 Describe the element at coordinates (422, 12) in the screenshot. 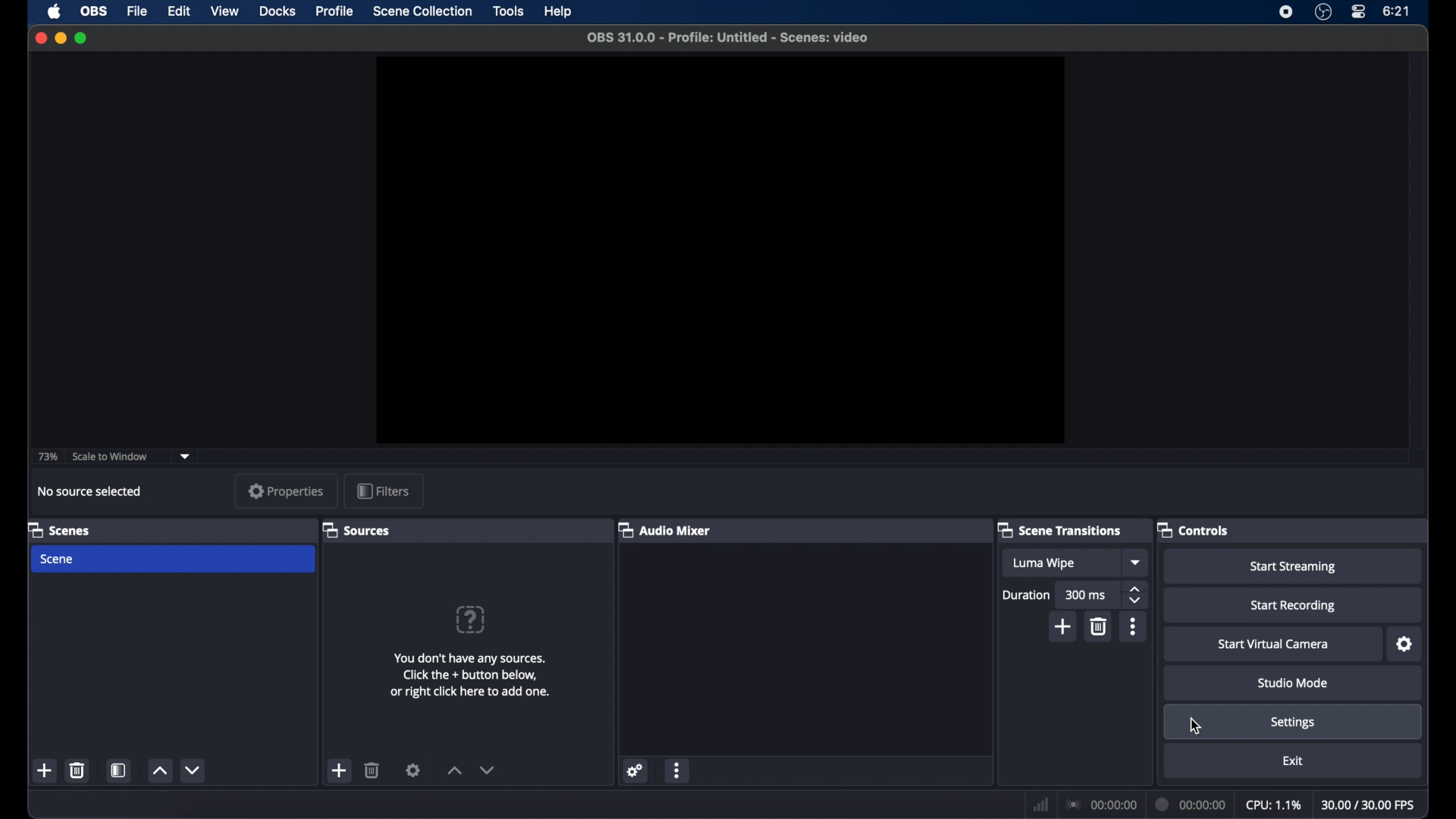

I see `` at that location.